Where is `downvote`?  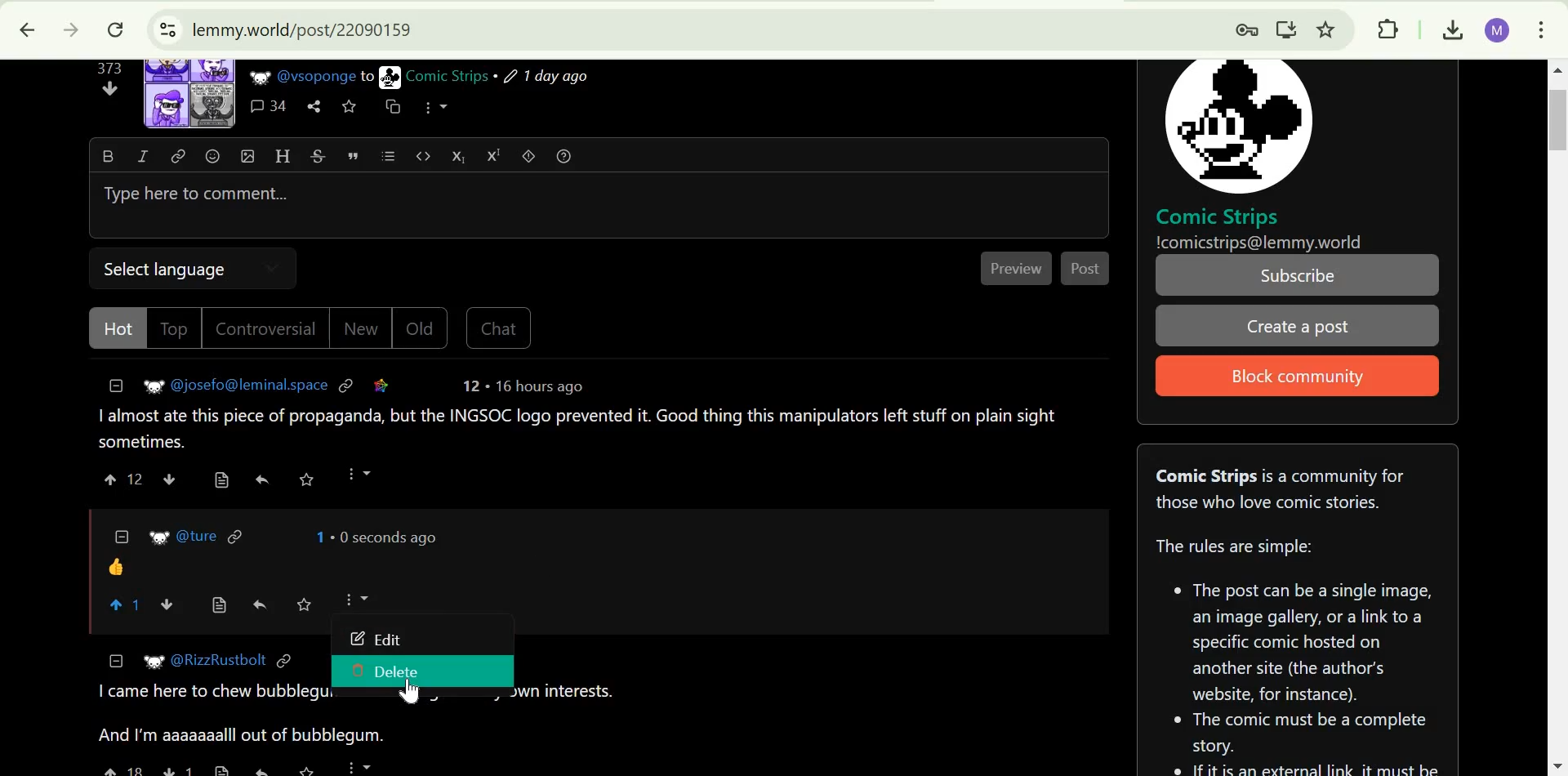
downvote is located at coordinates (169, 604).